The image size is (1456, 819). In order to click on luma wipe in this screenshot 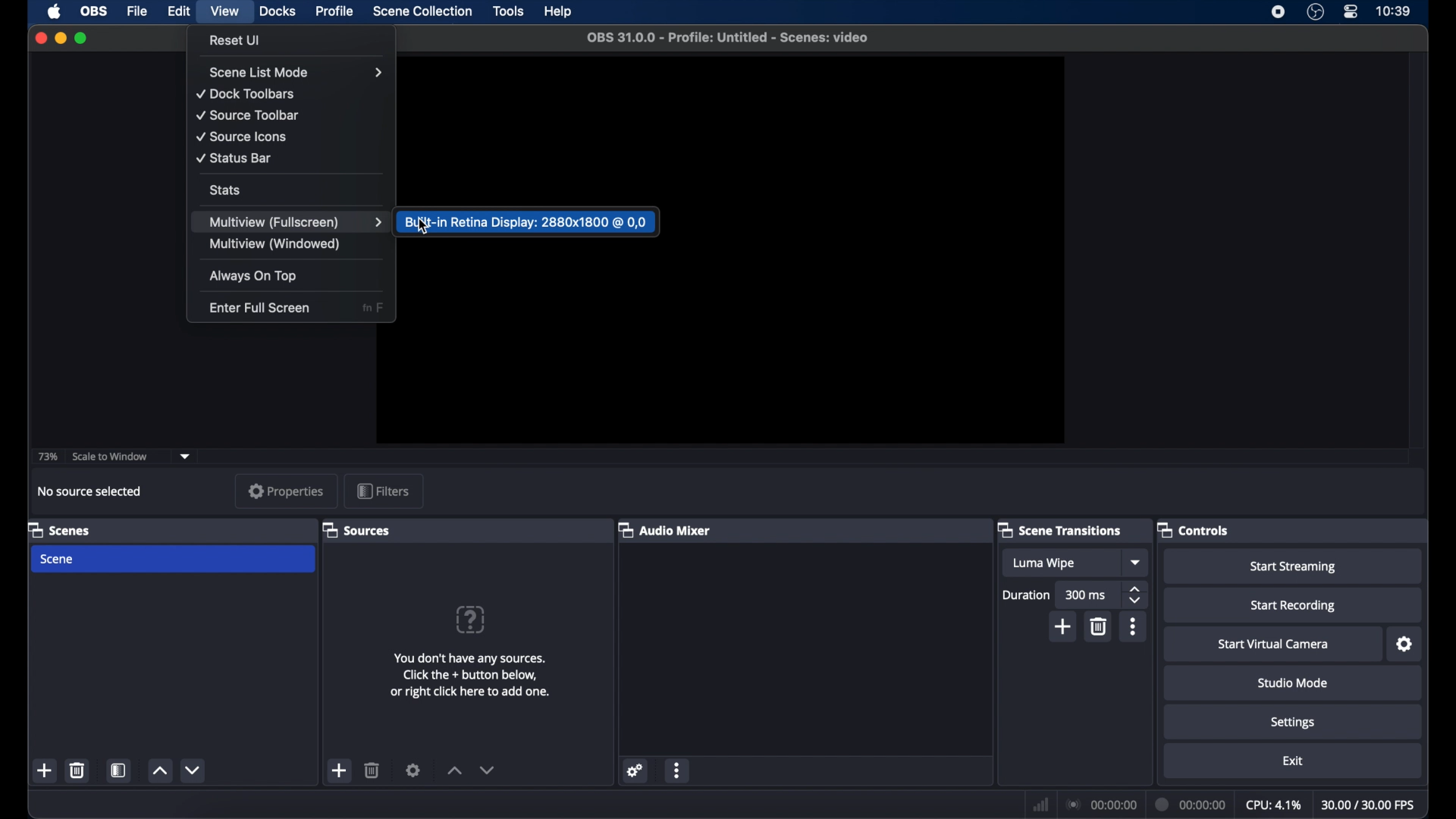, I will do `click(1043, 563)`.